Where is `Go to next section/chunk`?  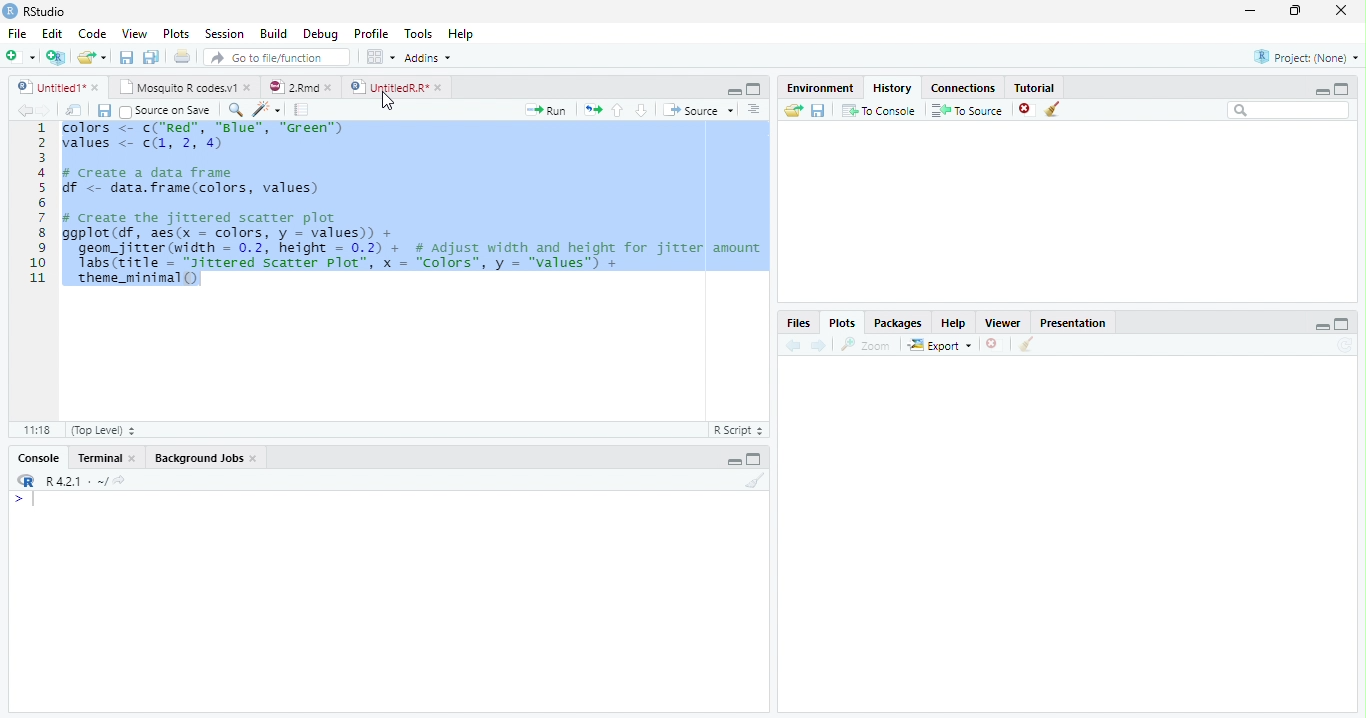
Go to next section/chunk is located at coordinates (641, 110).